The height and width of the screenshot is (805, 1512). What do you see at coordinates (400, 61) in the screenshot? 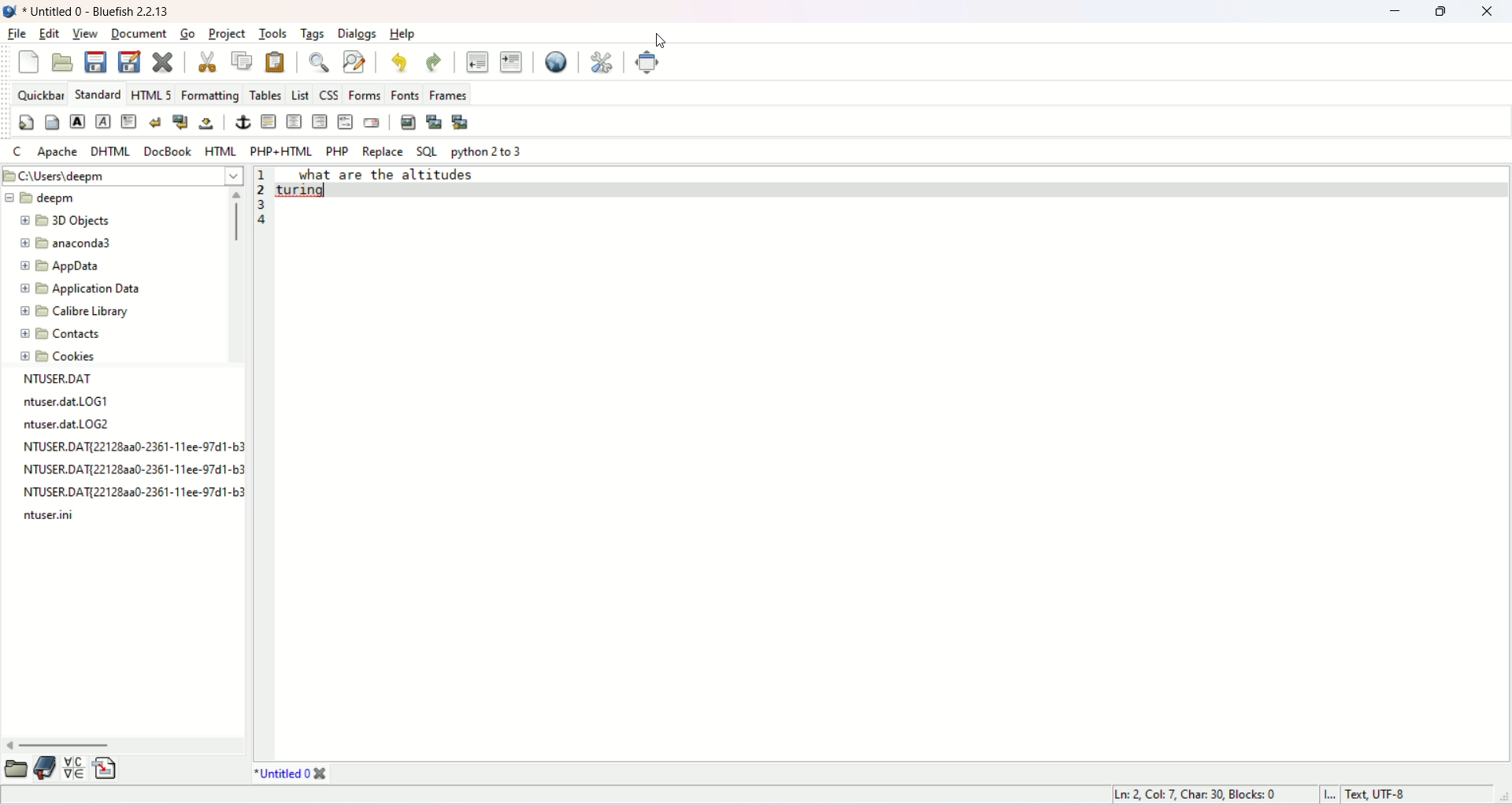
I see `undo` at bounding box center [400, 61].